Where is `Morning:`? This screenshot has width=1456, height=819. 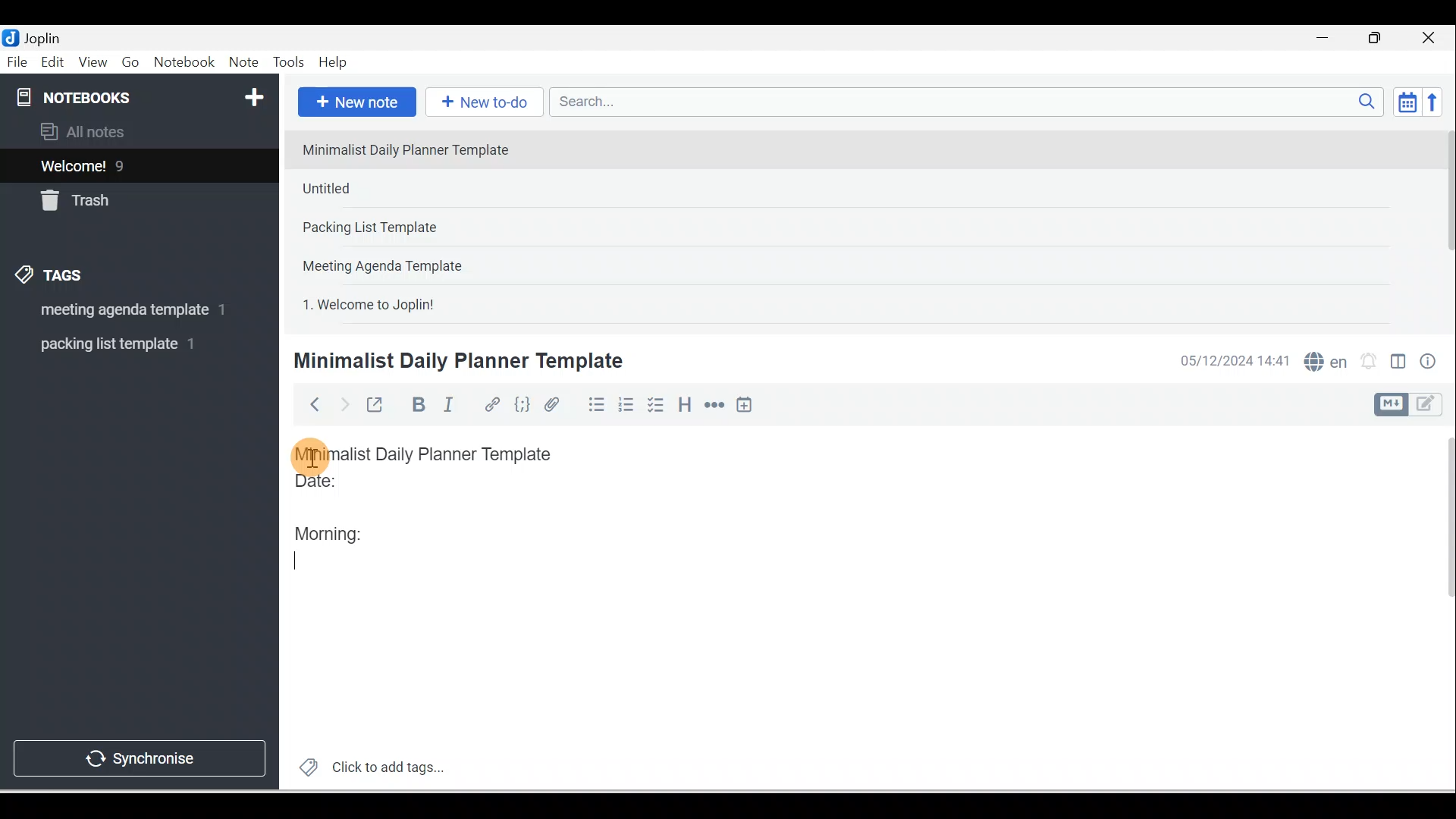 Morning: is located at coordinates (340, 530).